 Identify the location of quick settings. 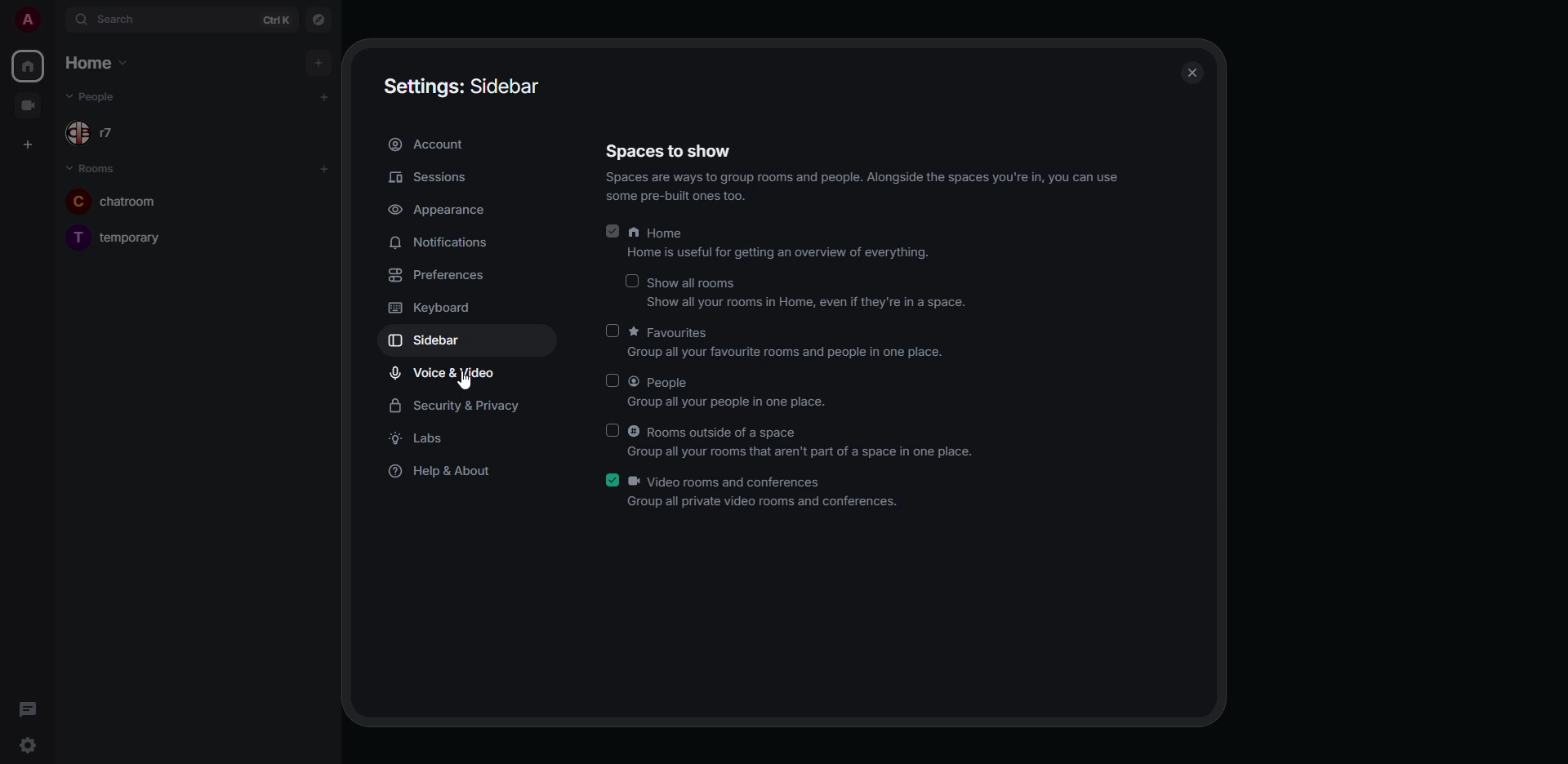
(26, 745).